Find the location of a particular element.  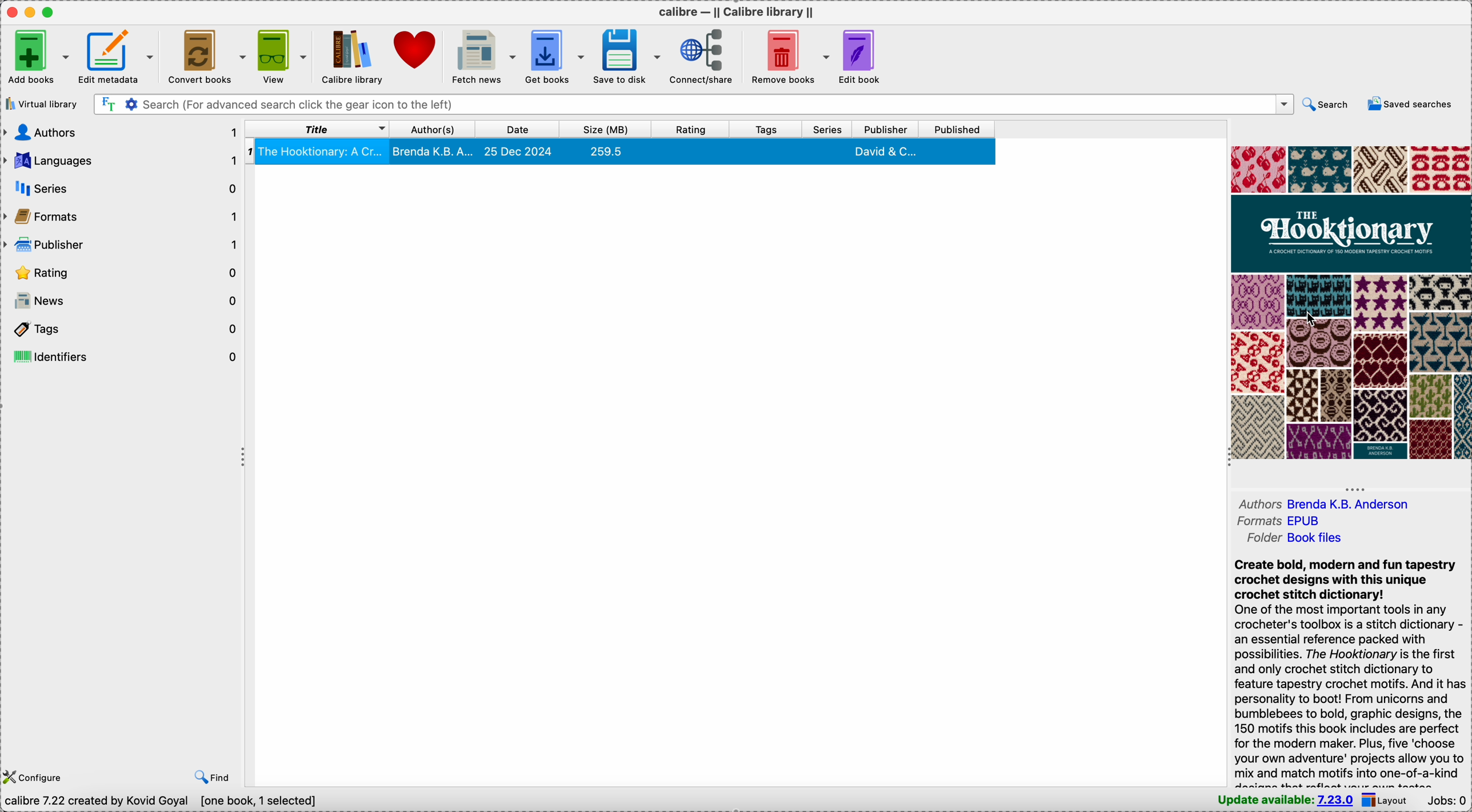

data is located at coordinates (164, 802).